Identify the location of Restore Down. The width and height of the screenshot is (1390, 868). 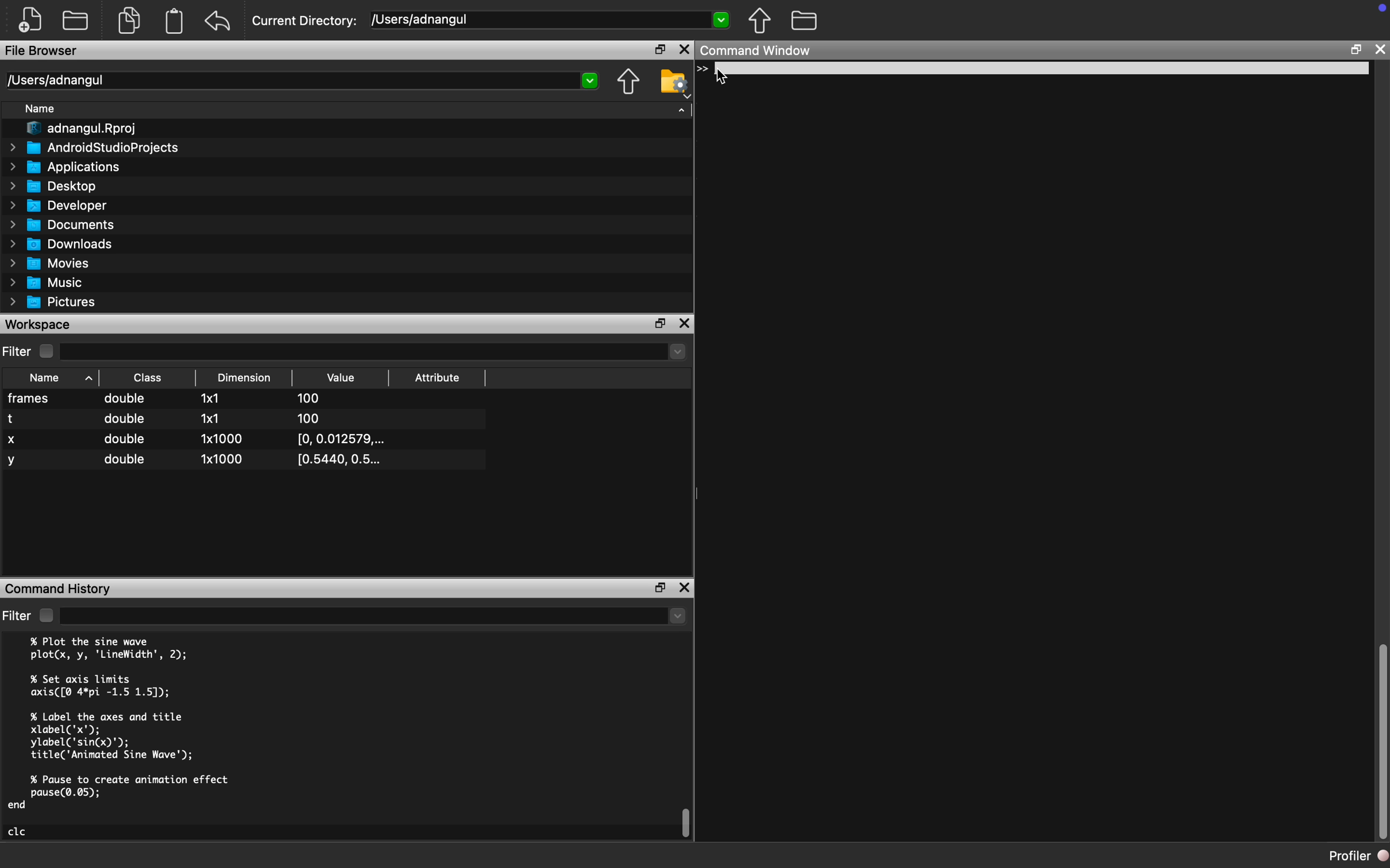
(660, 49).